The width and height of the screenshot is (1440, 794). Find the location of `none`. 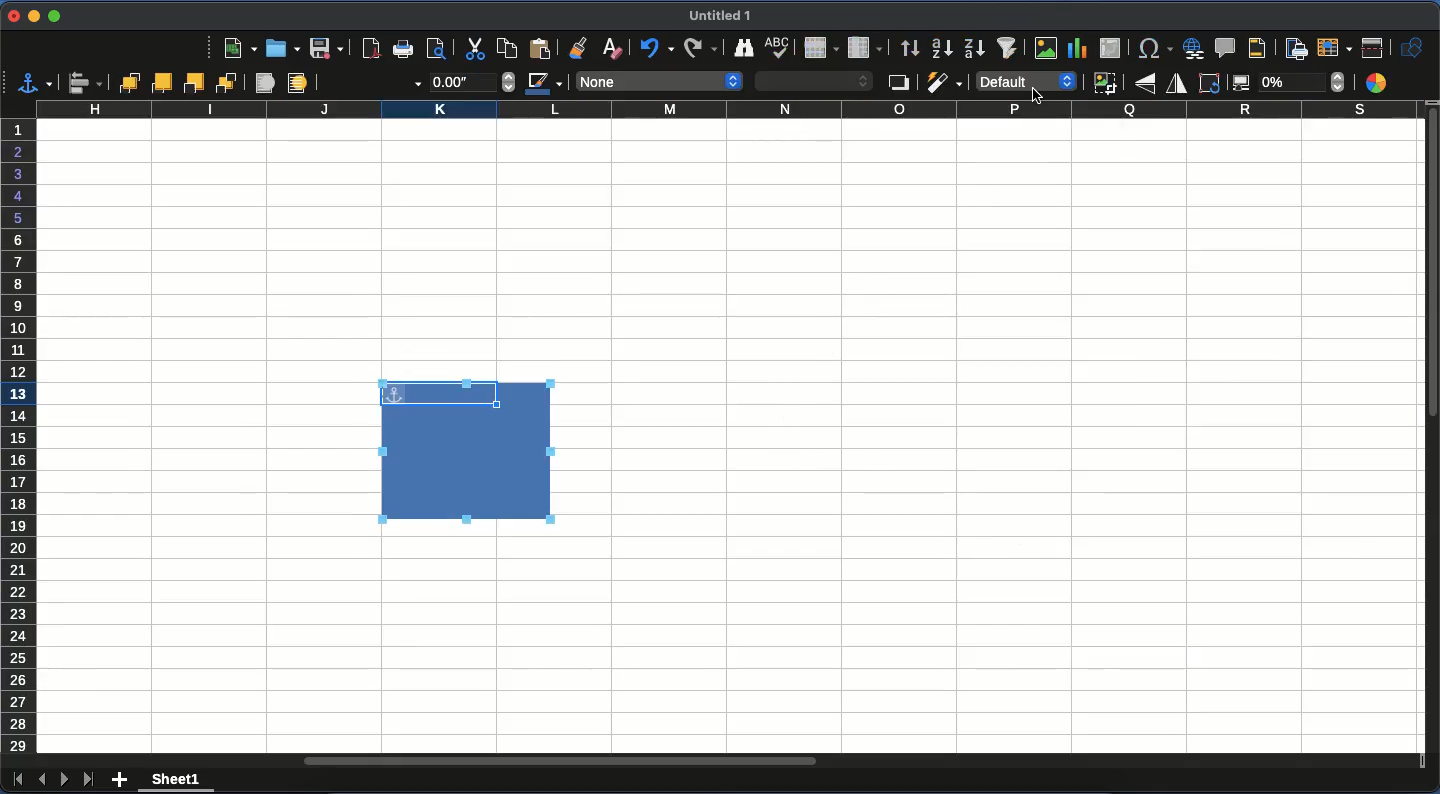

none is located at coordinates (659, 81).